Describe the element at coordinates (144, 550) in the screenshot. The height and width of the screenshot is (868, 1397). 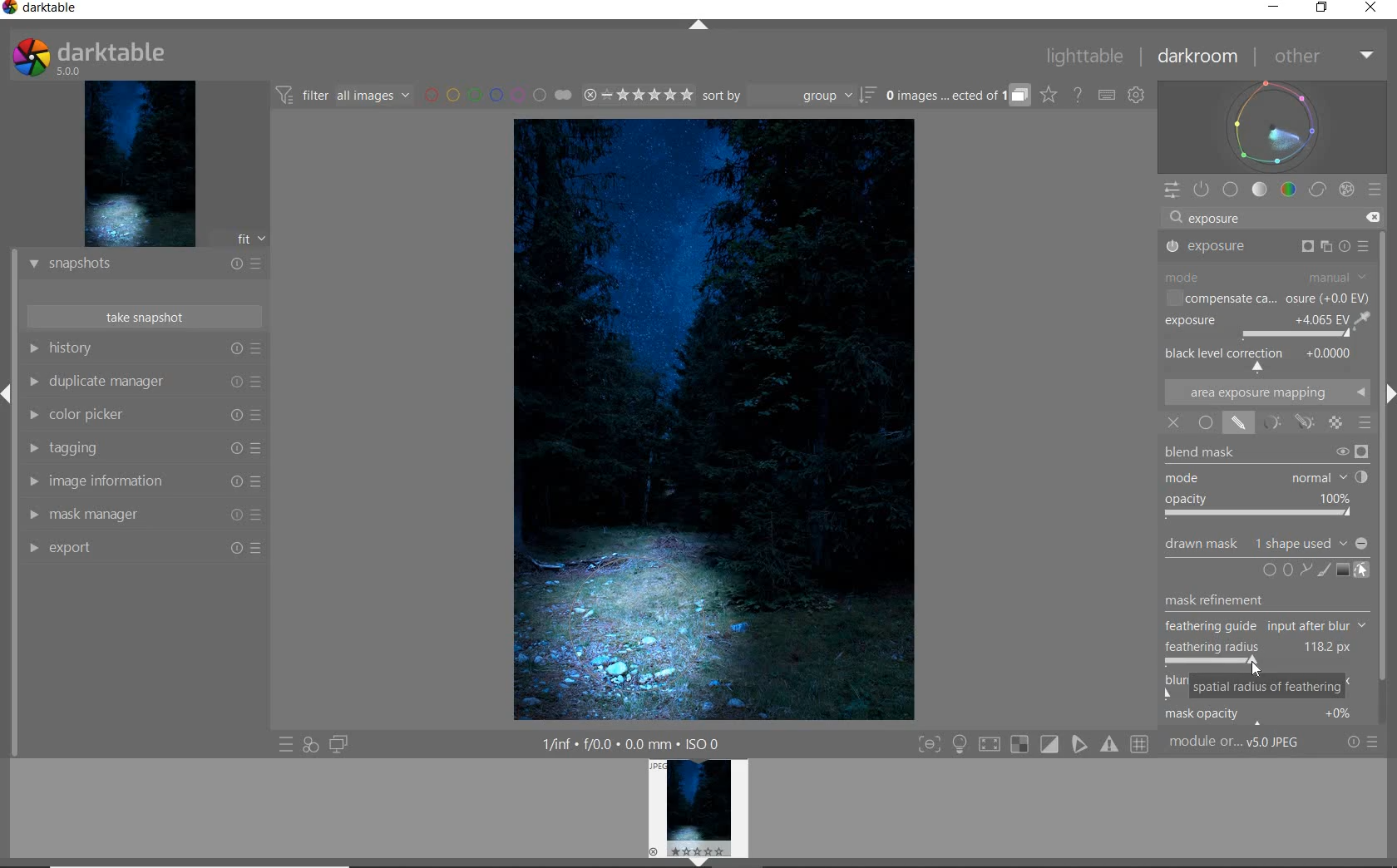
I see `EXPORT` at that location.